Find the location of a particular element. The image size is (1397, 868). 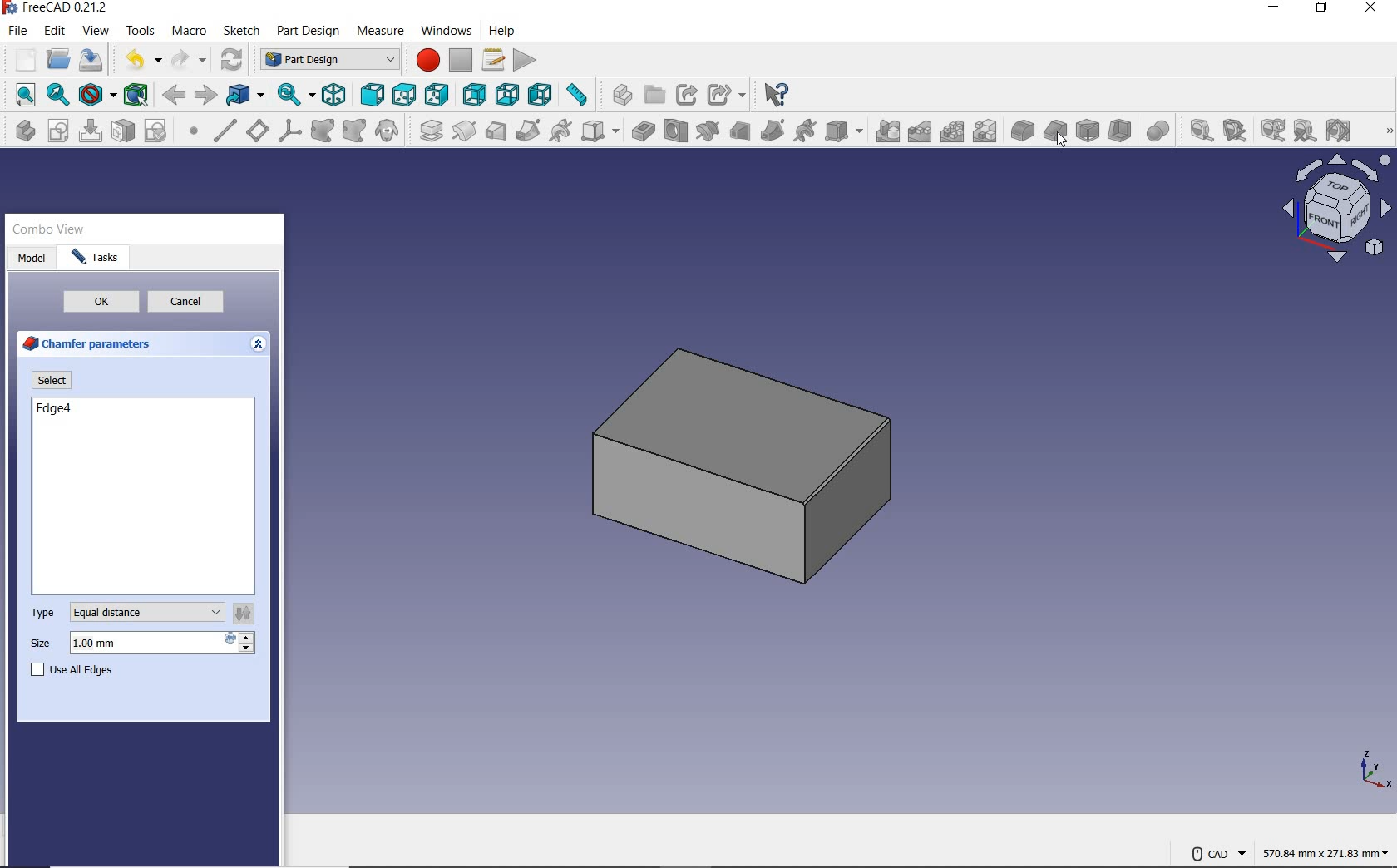

570.84 mm x 271.83mm is located at coordinates (1323, 851).